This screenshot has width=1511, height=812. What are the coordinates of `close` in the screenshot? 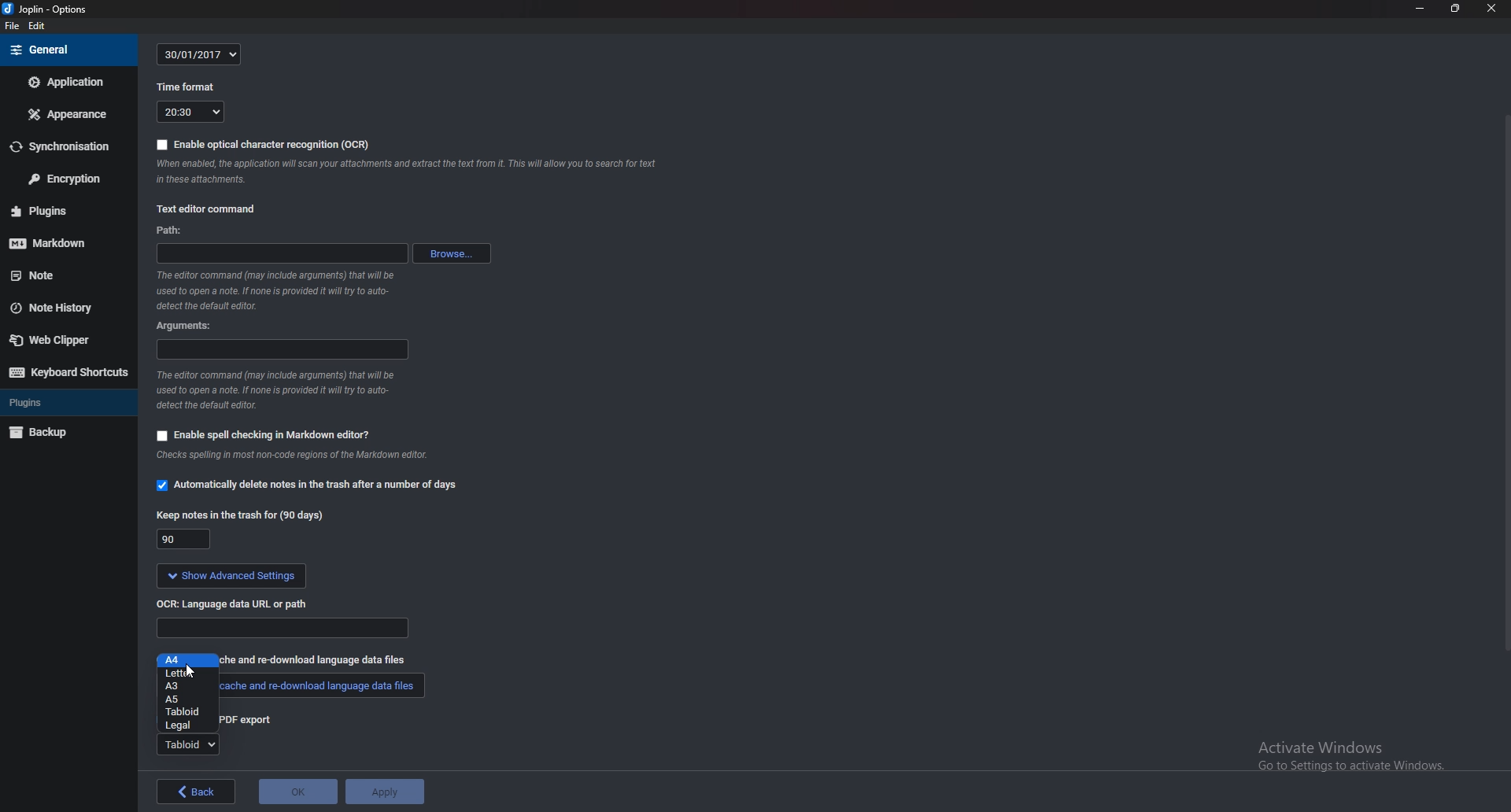 It's located at (1486, 10).